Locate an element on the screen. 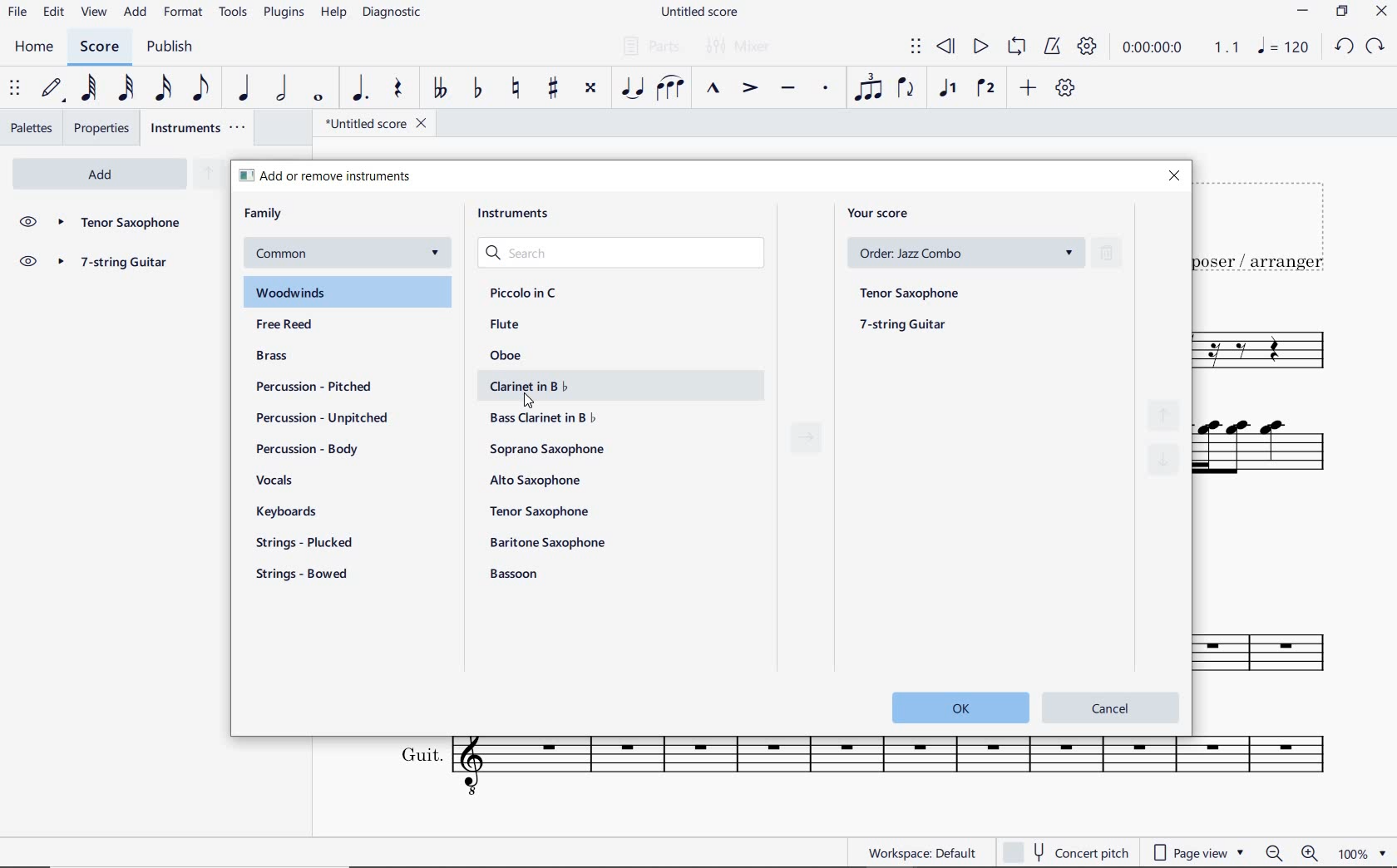 The height and width of the screenshot is (868, 1397). percussion - unpitched is located at coordinates (323, 418).